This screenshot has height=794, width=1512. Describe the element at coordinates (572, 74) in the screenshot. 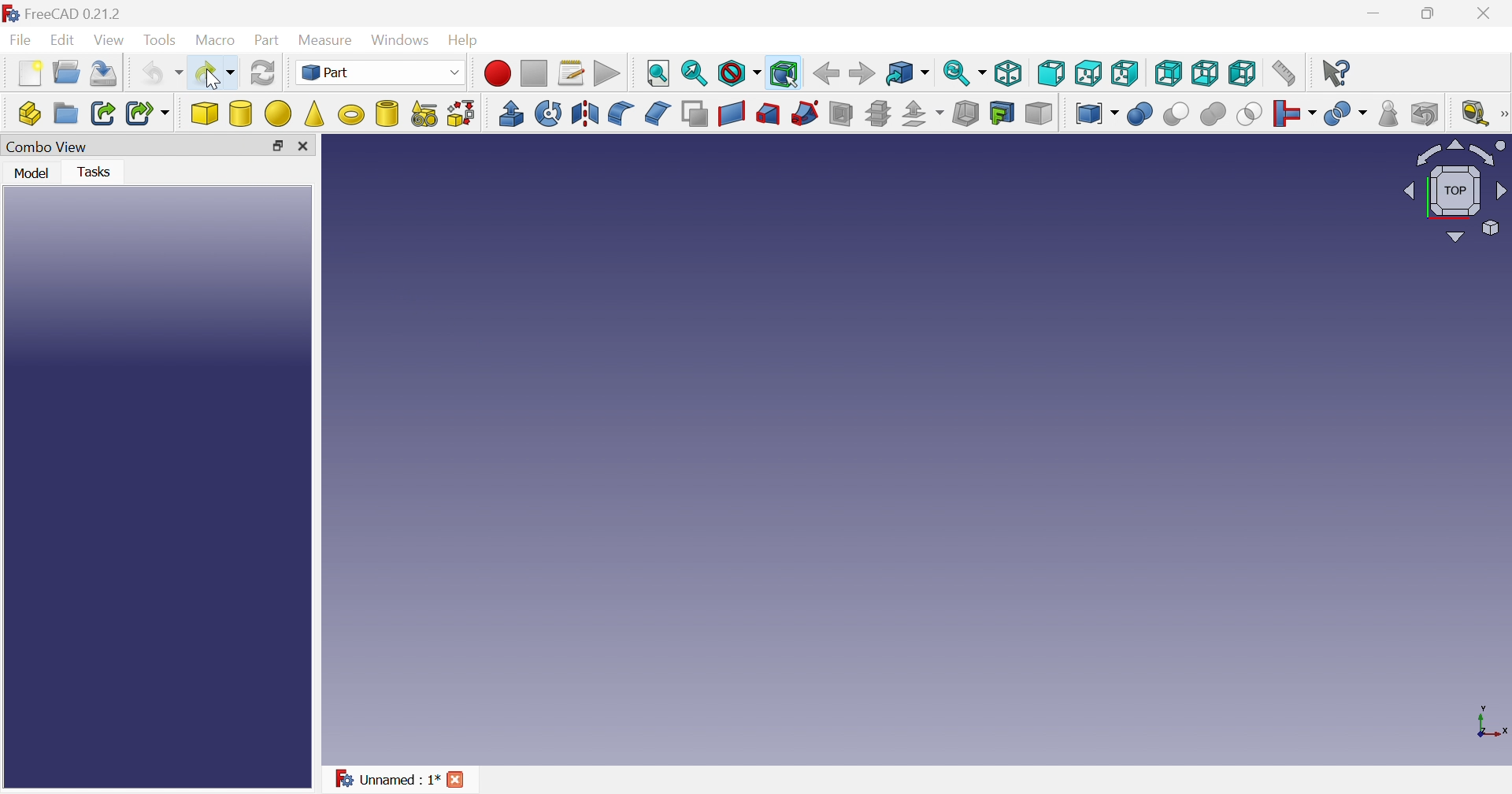

I see `Macros` at that location.